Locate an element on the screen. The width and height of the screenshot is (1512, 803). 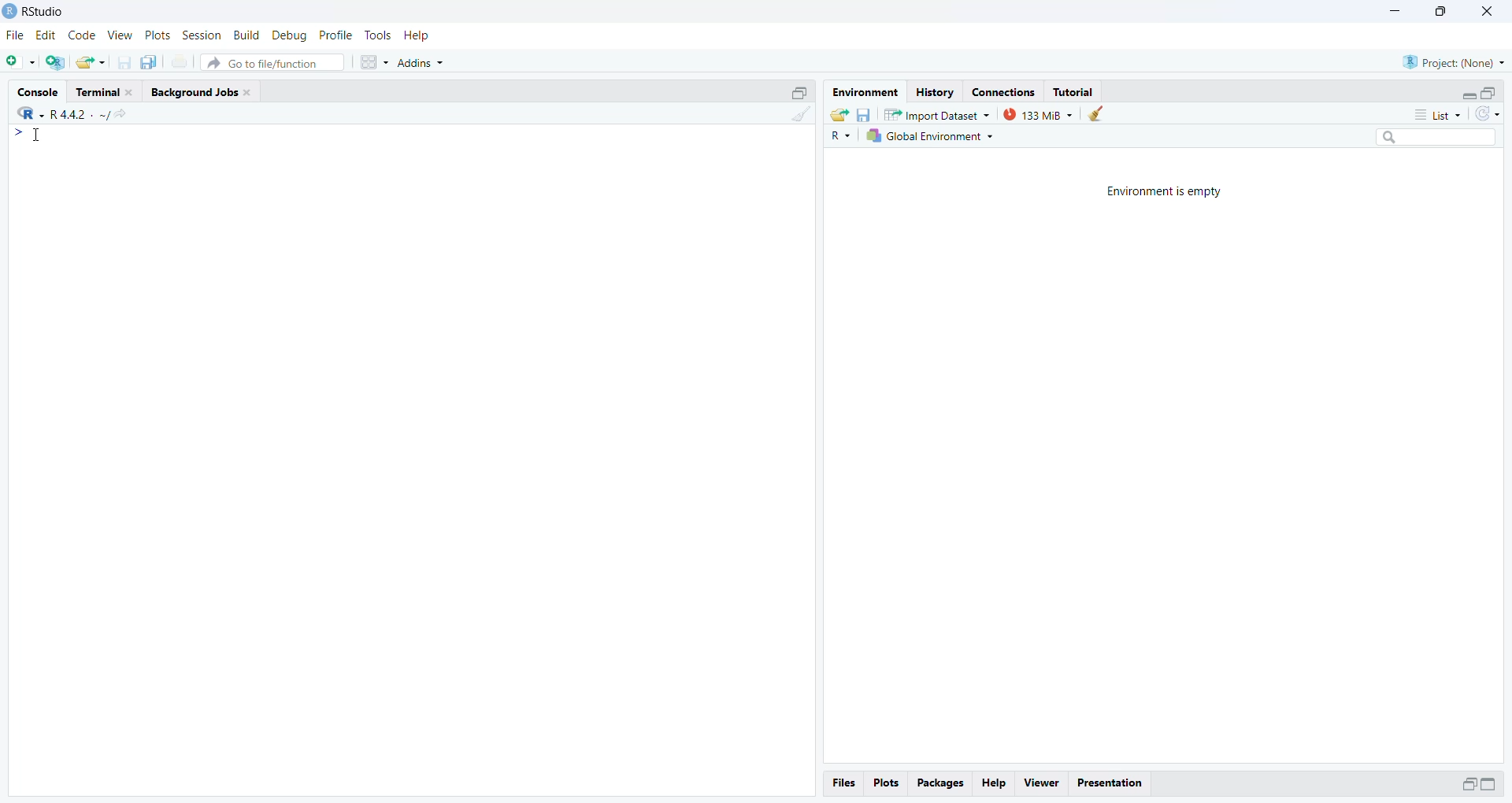
Help is located at coordinates (993, 784).